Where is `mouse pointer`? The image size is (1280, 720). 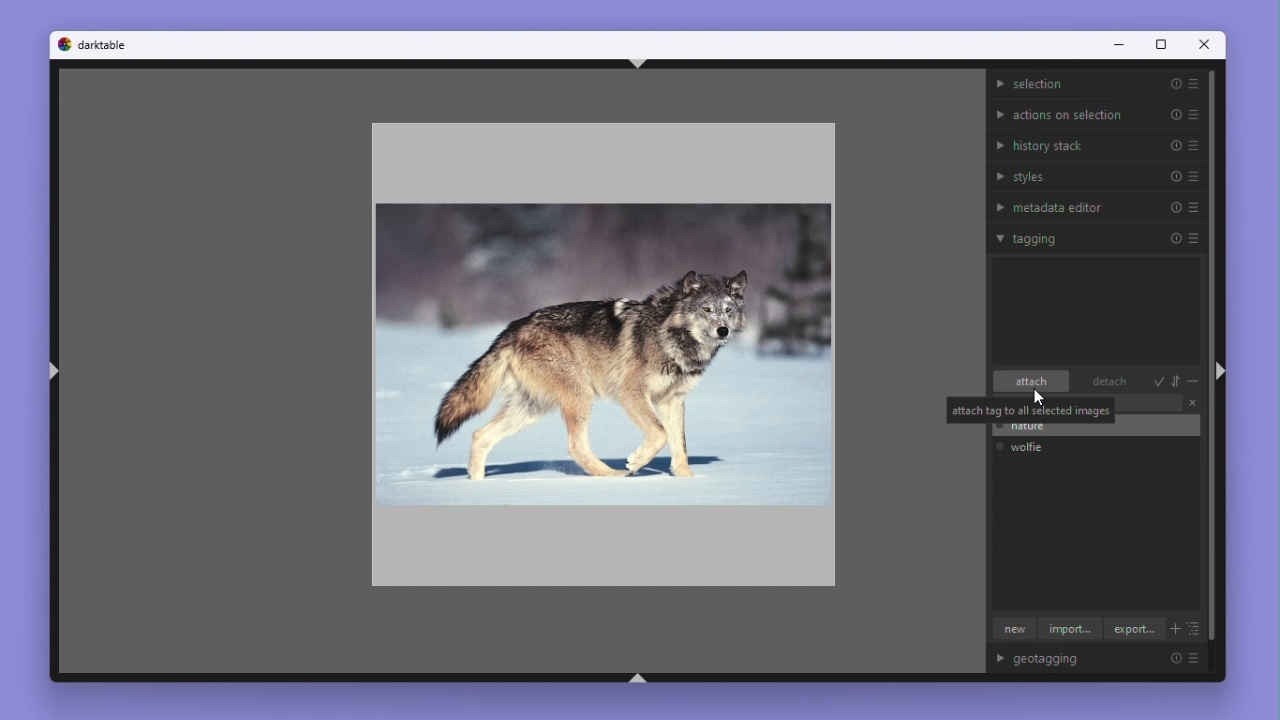
mouse pointer is located at coordinates (1041, 399).